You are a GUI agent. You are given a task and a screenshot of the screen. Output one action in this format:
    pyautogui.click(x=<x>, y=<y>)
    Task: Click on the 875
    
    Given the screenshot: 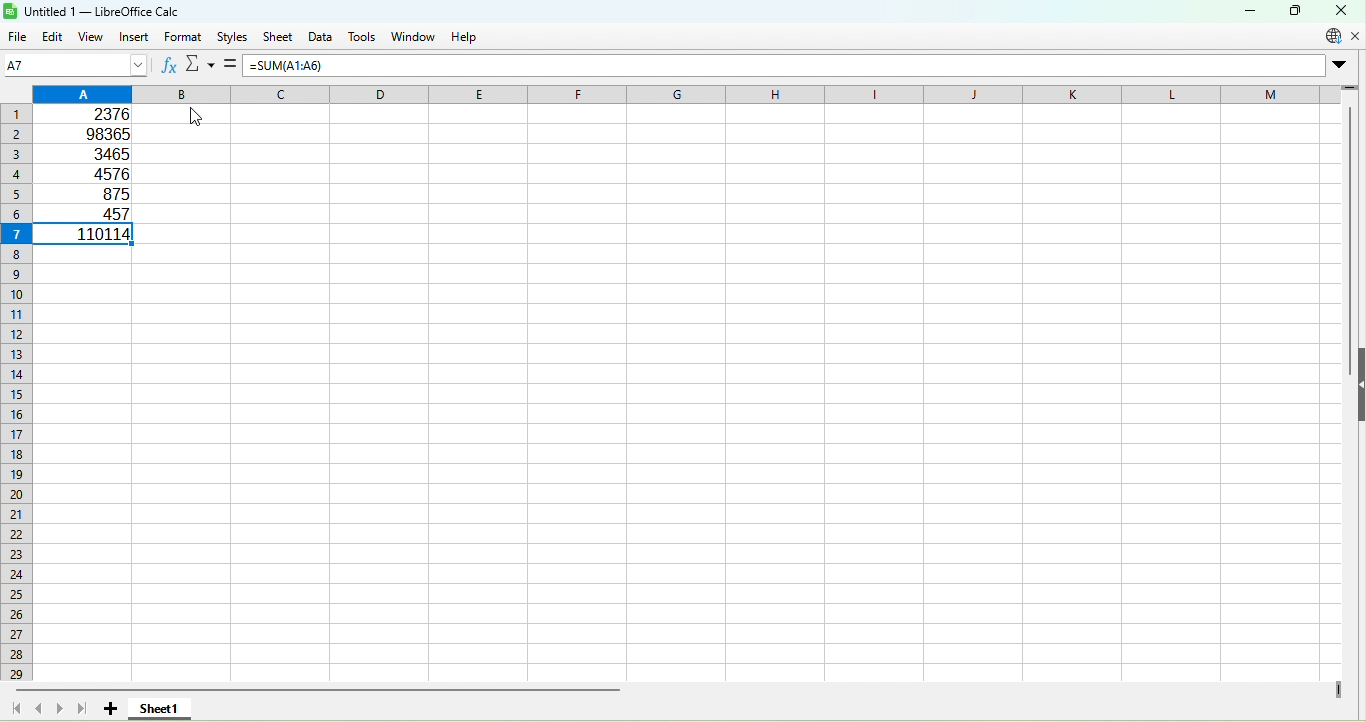 What is the action you would take?
    pyautogui.click(x=102, y=192)
    